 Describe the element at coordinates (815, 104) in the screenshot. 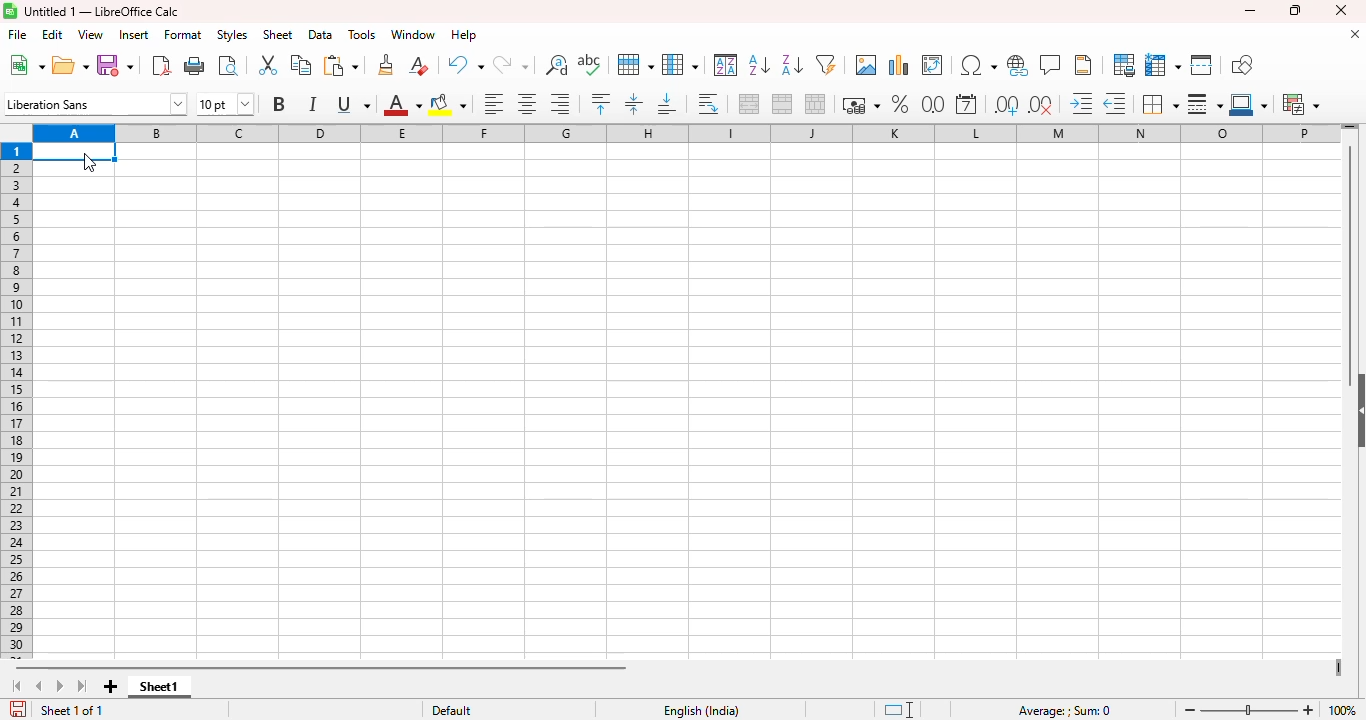

I see `unmerge cells` at that location.